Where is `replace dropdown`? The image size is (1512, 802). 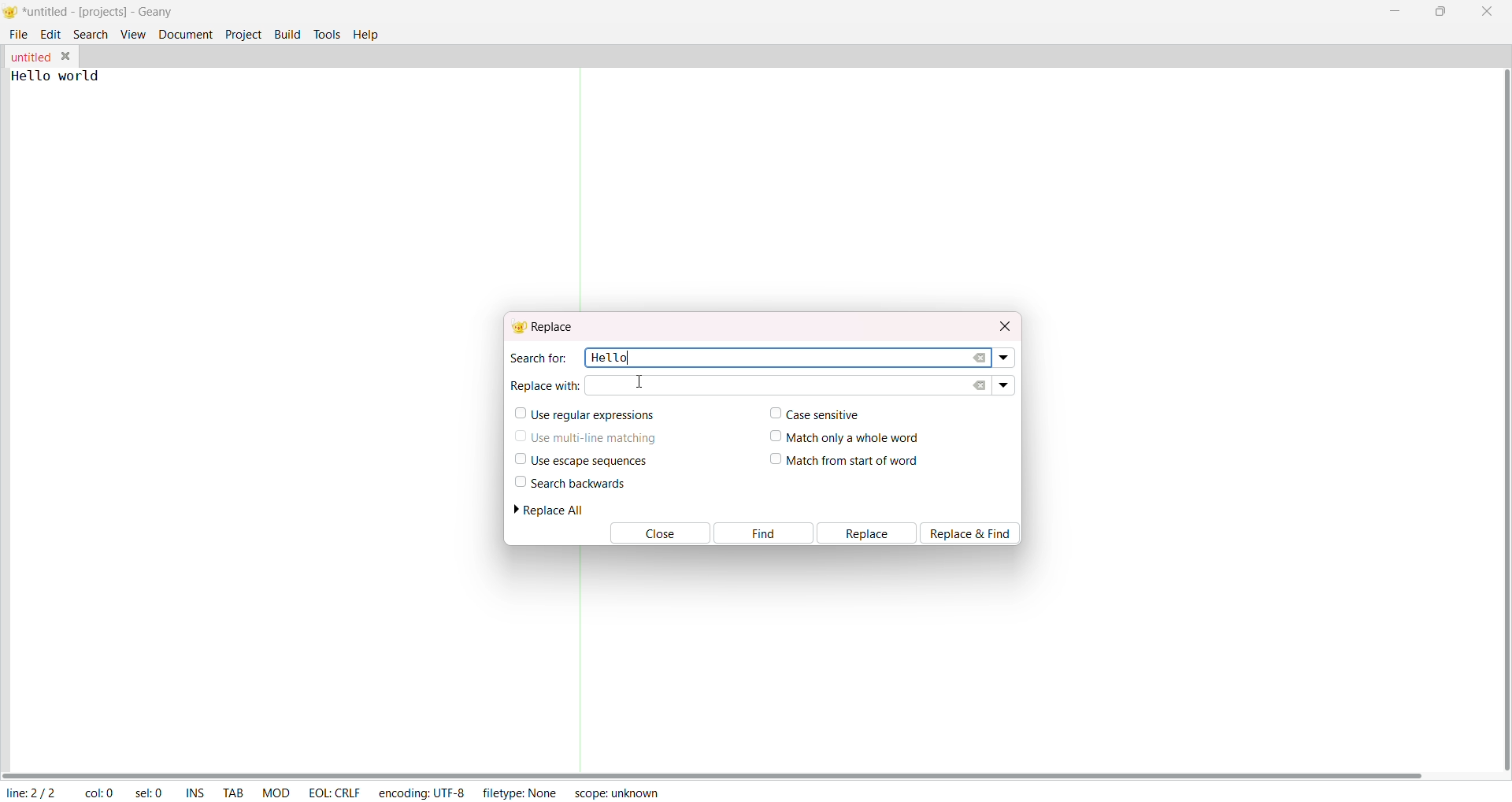 replace dropdown is located at coordinates (1003, 384).